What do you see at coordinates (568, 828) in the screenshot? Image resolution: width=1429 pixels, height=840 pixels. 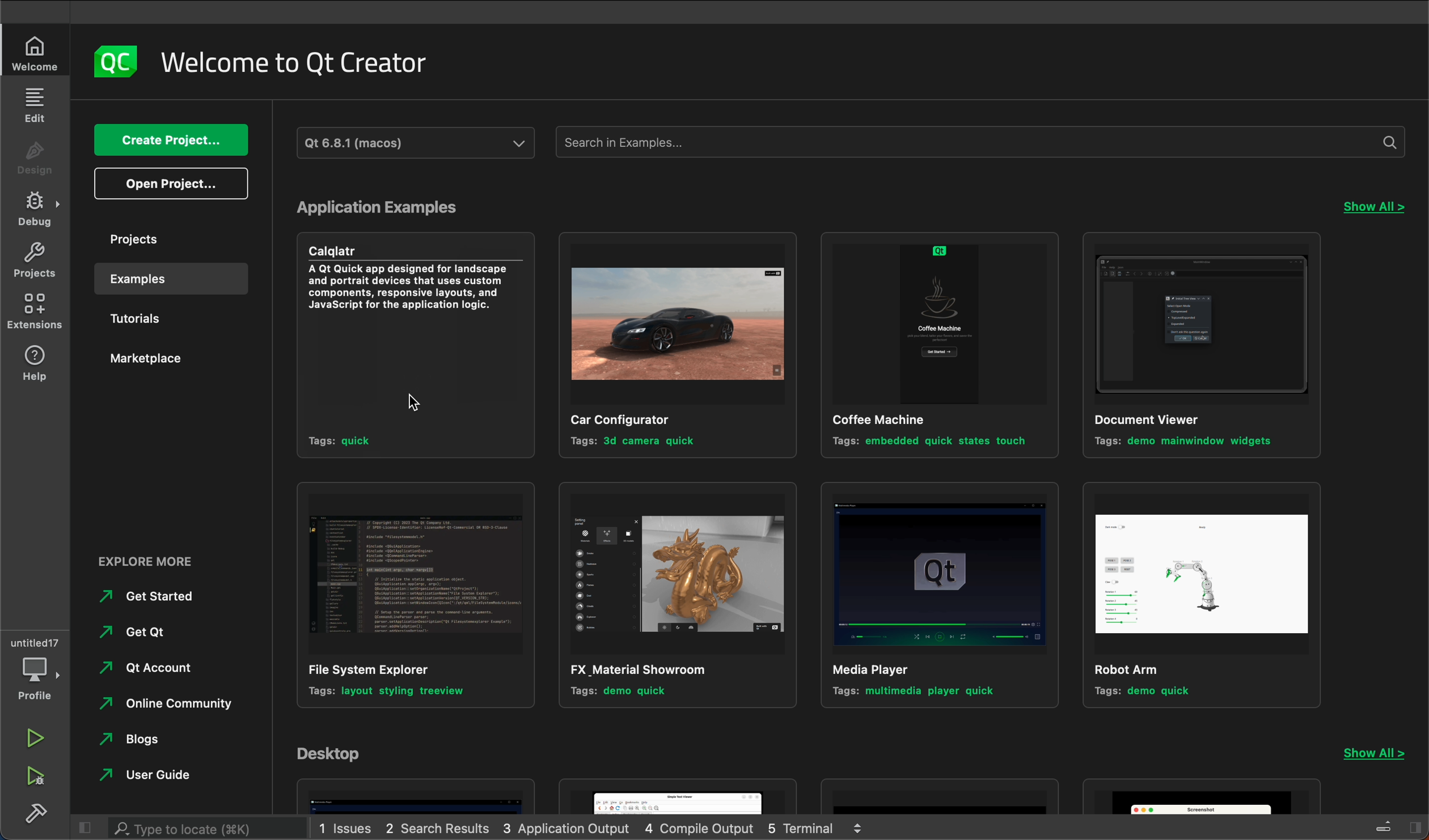 I see `application output` at bounding box center [568, 828].